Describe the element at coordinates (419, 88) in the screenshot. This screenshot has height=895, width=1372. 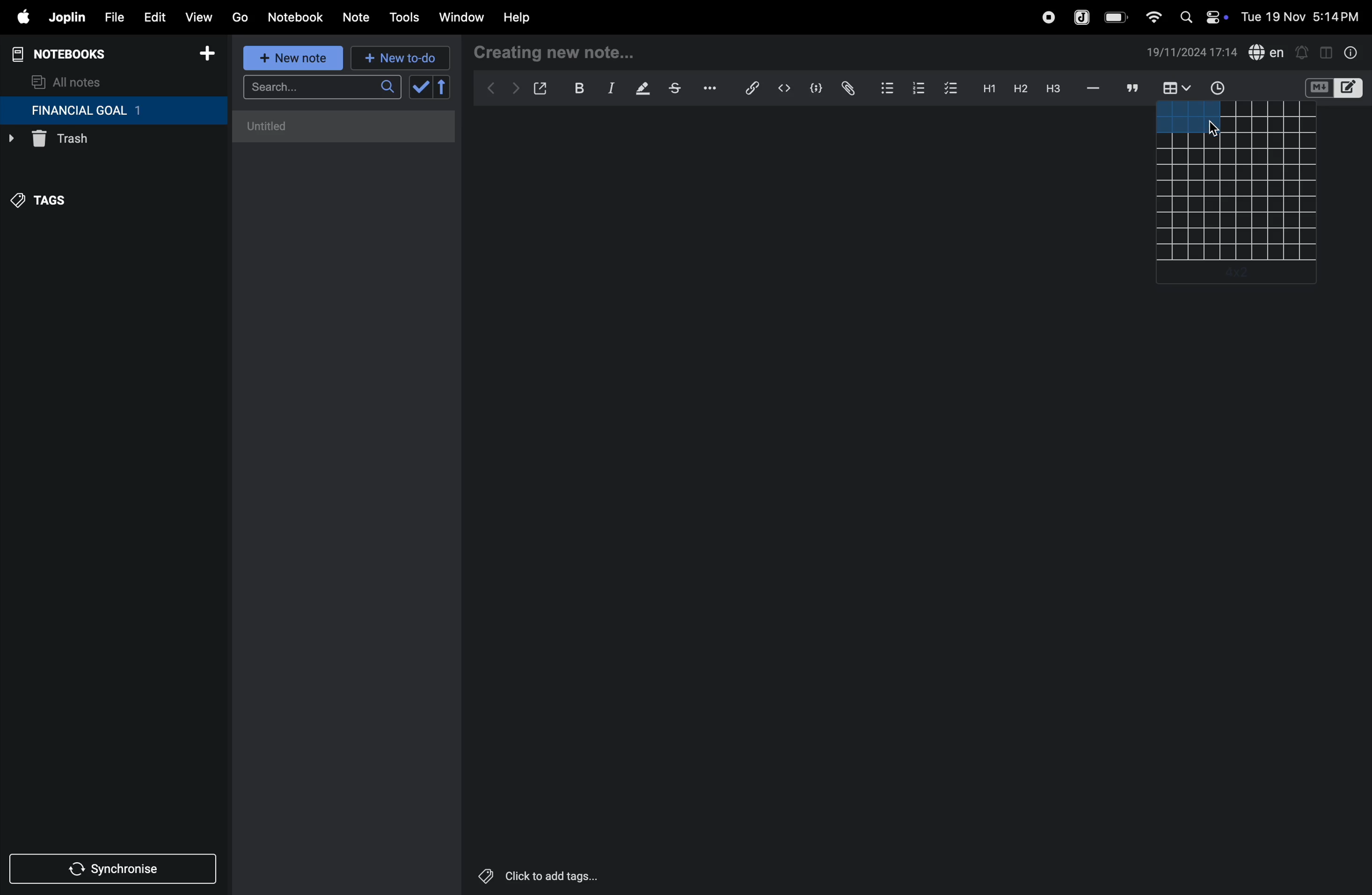
I see `check` at that location.